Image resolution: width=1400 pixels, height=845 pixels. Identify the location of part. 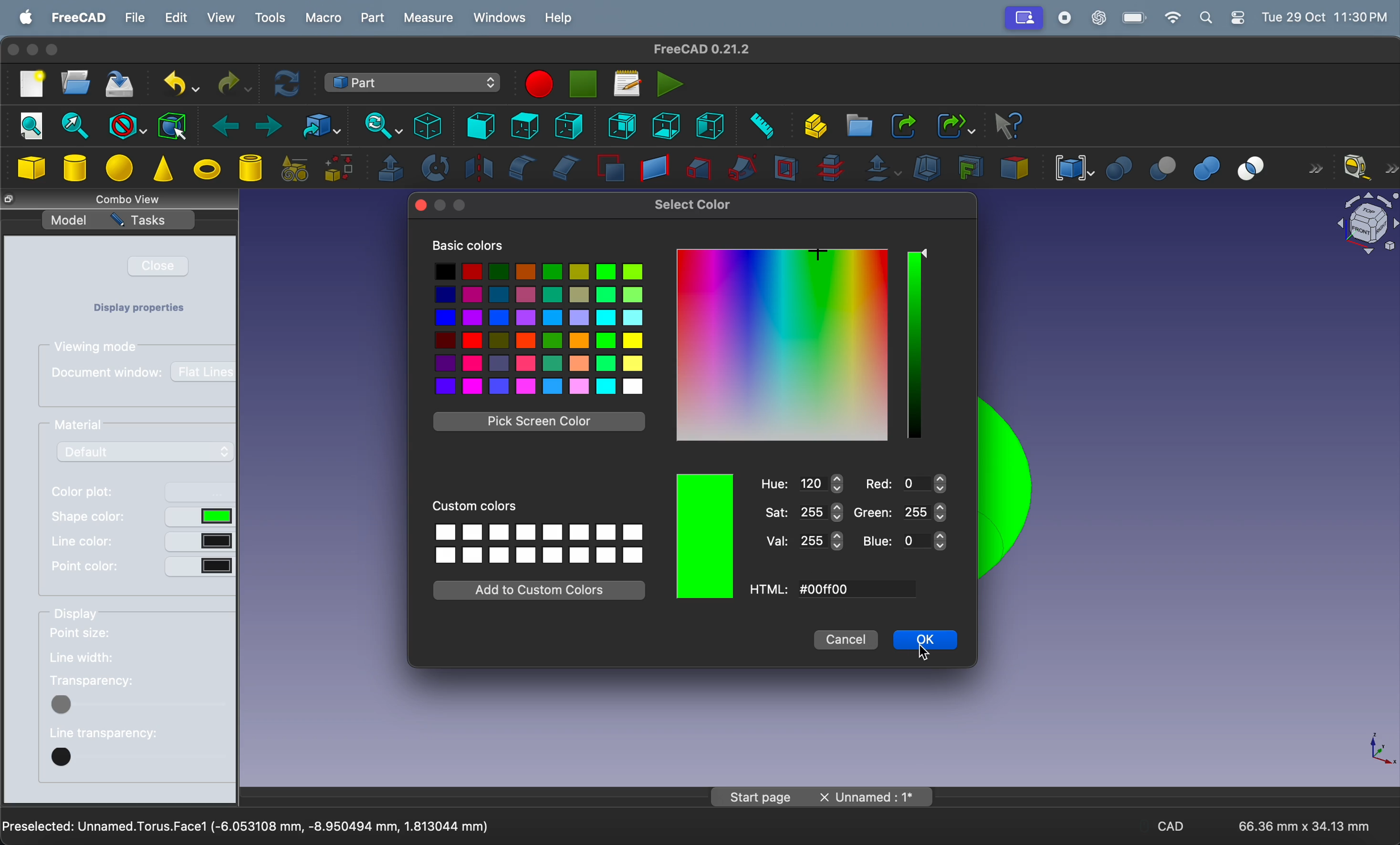
(373, 18).